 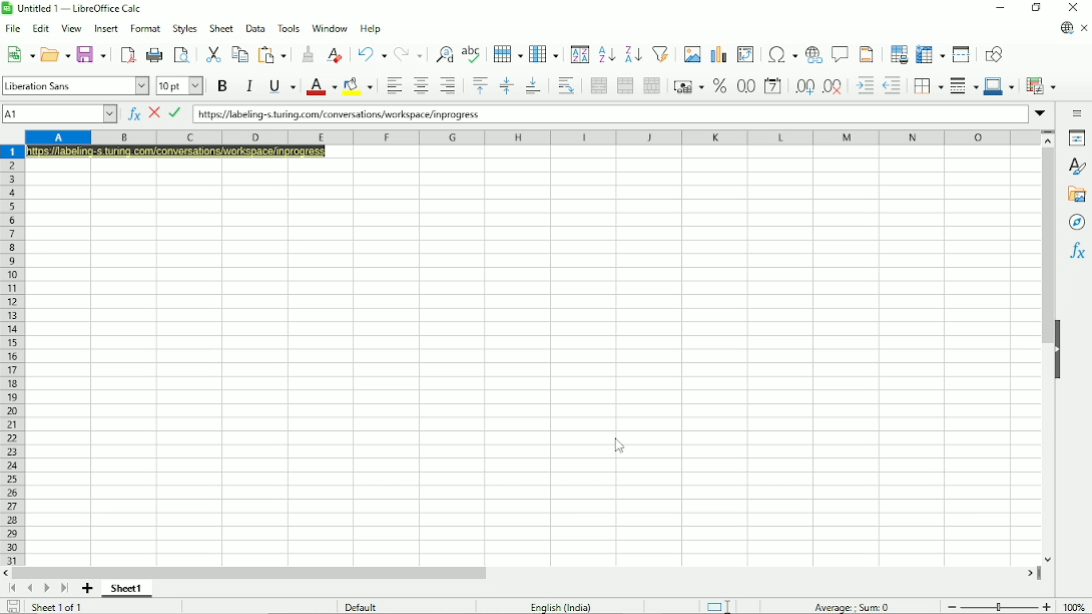 I want to click on window, so click(x=330, y=29).